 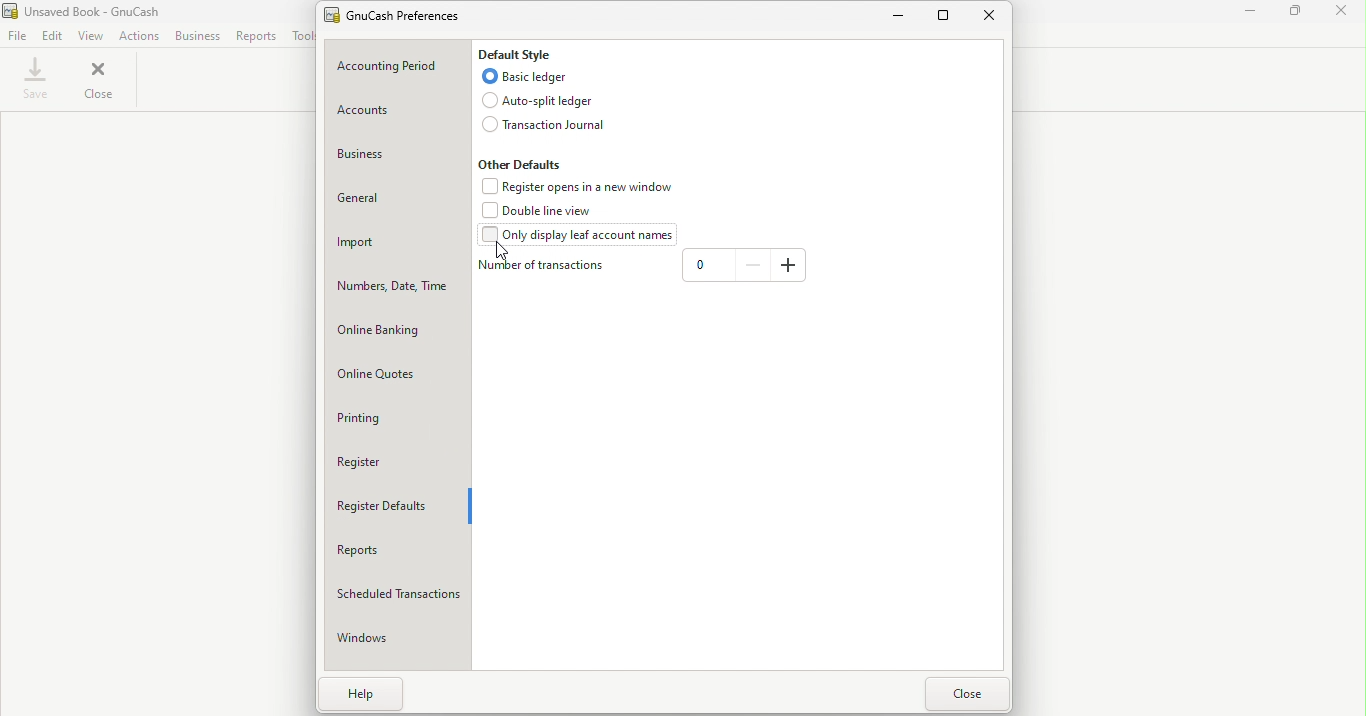 What do you see at coordinates (393, 376) in the screenshot?
I see `Online Quotes` at bounding box center [393, 376].